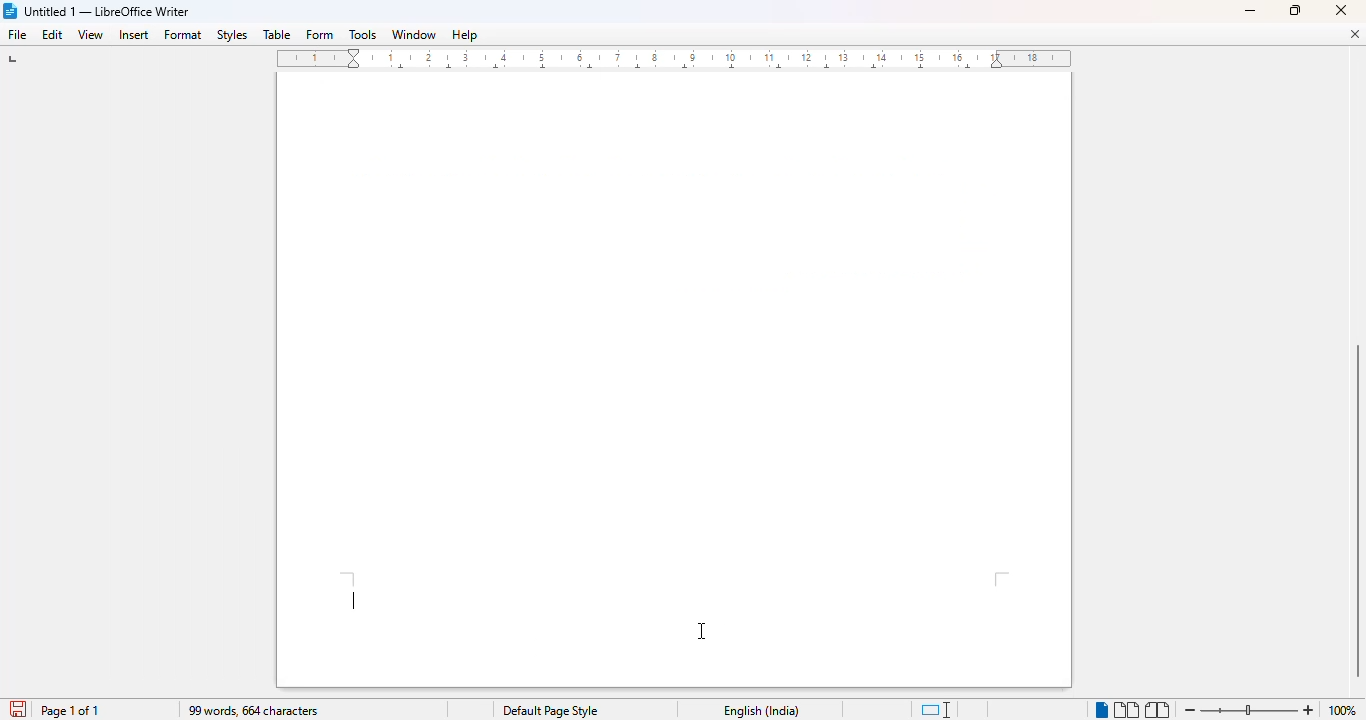  I want to click on window, so click(414, 34).